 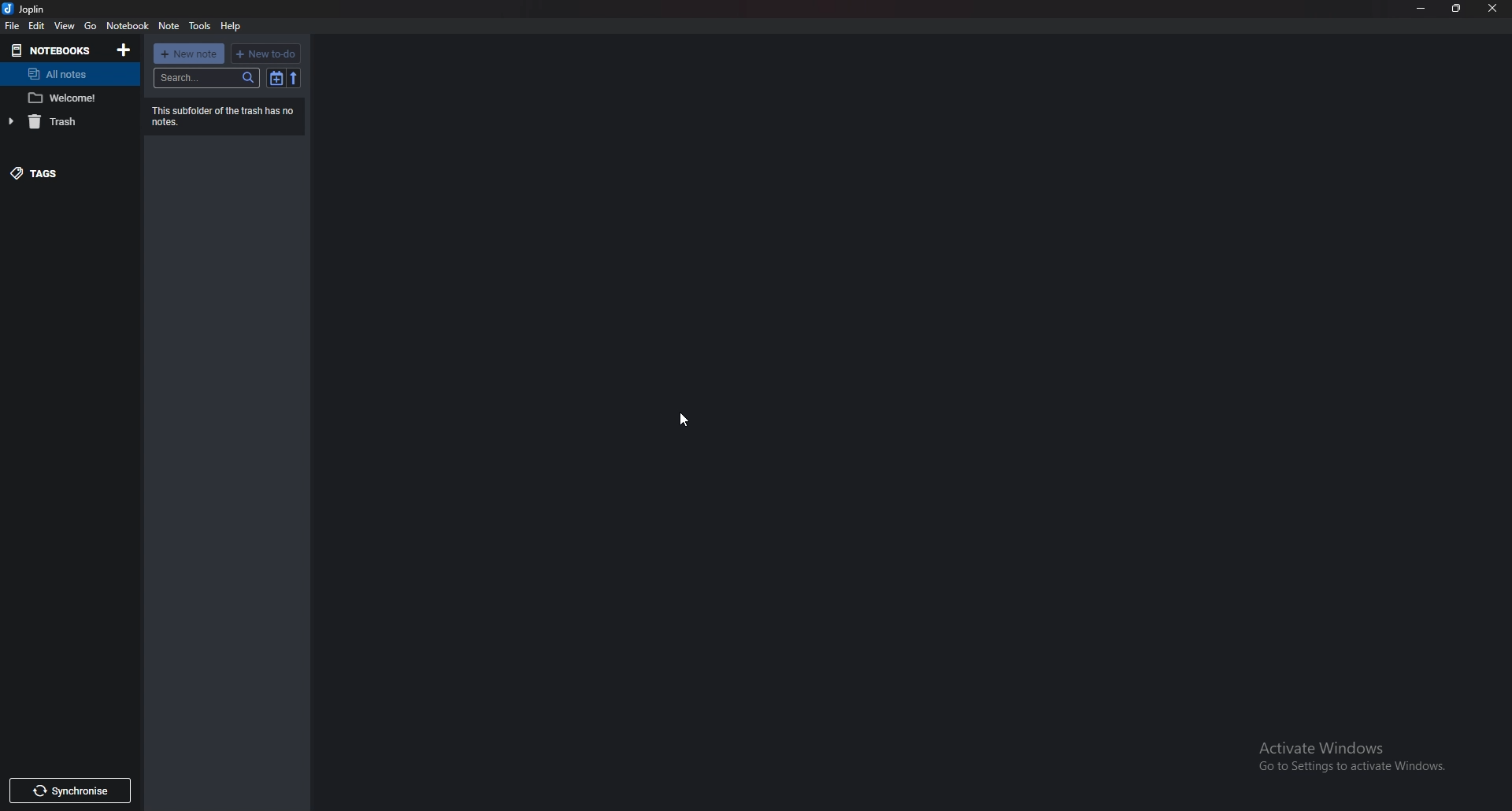 What do you see at coordinates (36, 27) in the screenshot?
I see `edit` at bounding box center [36, 27].